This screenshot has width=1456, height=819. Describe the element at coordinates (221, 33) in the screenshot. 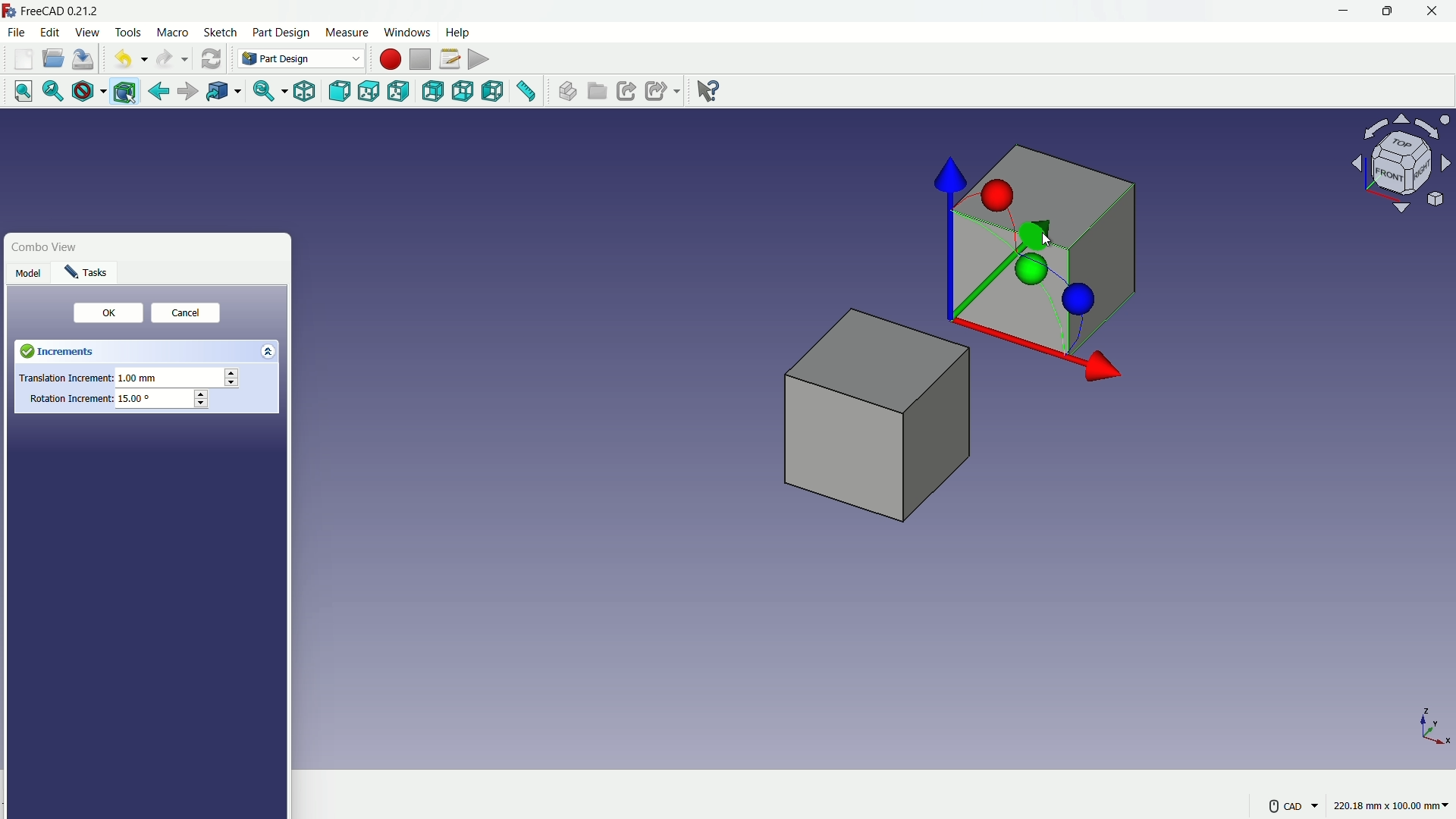

I see `sketch` at that location.